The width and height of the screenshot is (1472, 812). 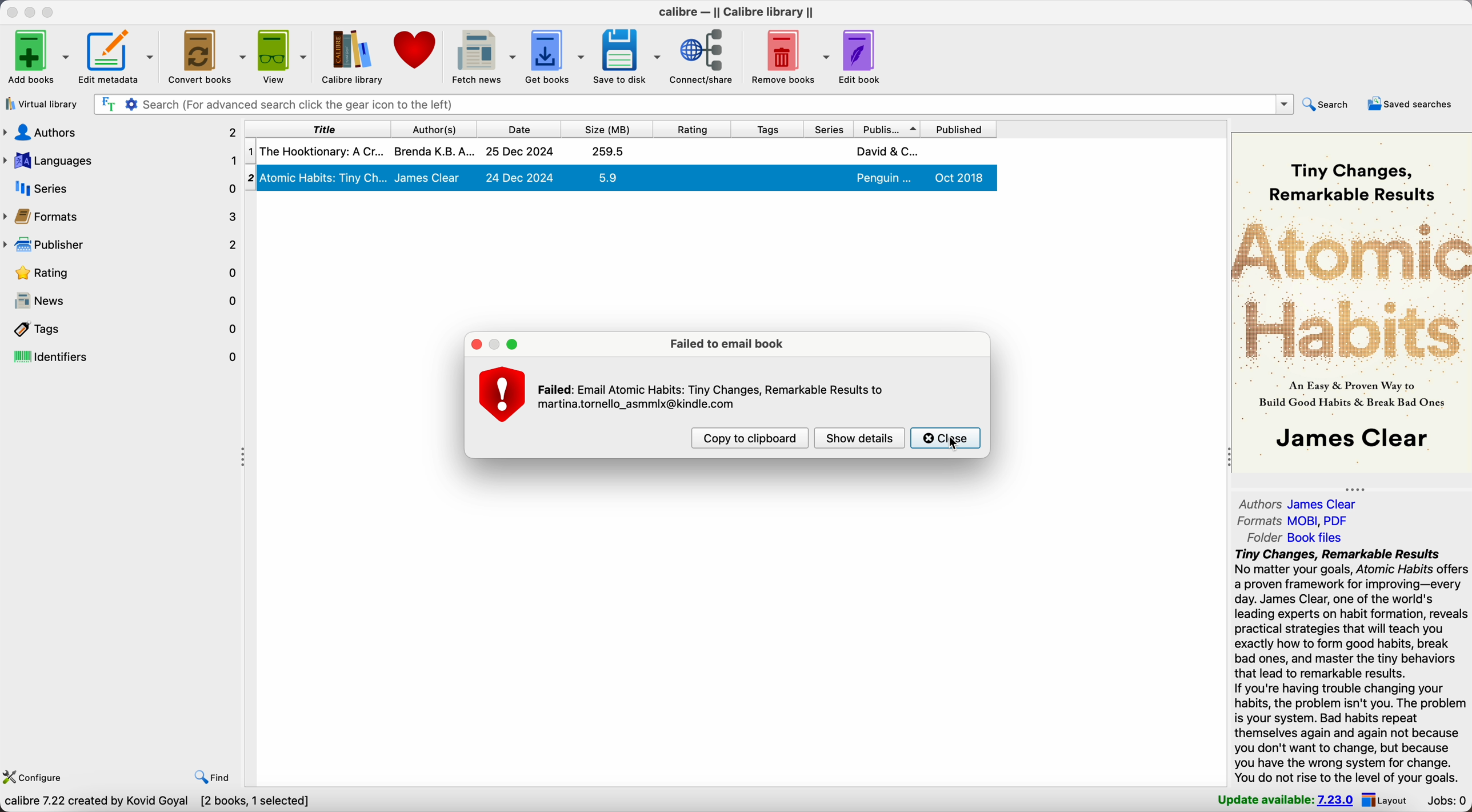 What do you see at coordinates (122, 272) in the screenshot?
I see `rating` at bounding box center [122, 272].